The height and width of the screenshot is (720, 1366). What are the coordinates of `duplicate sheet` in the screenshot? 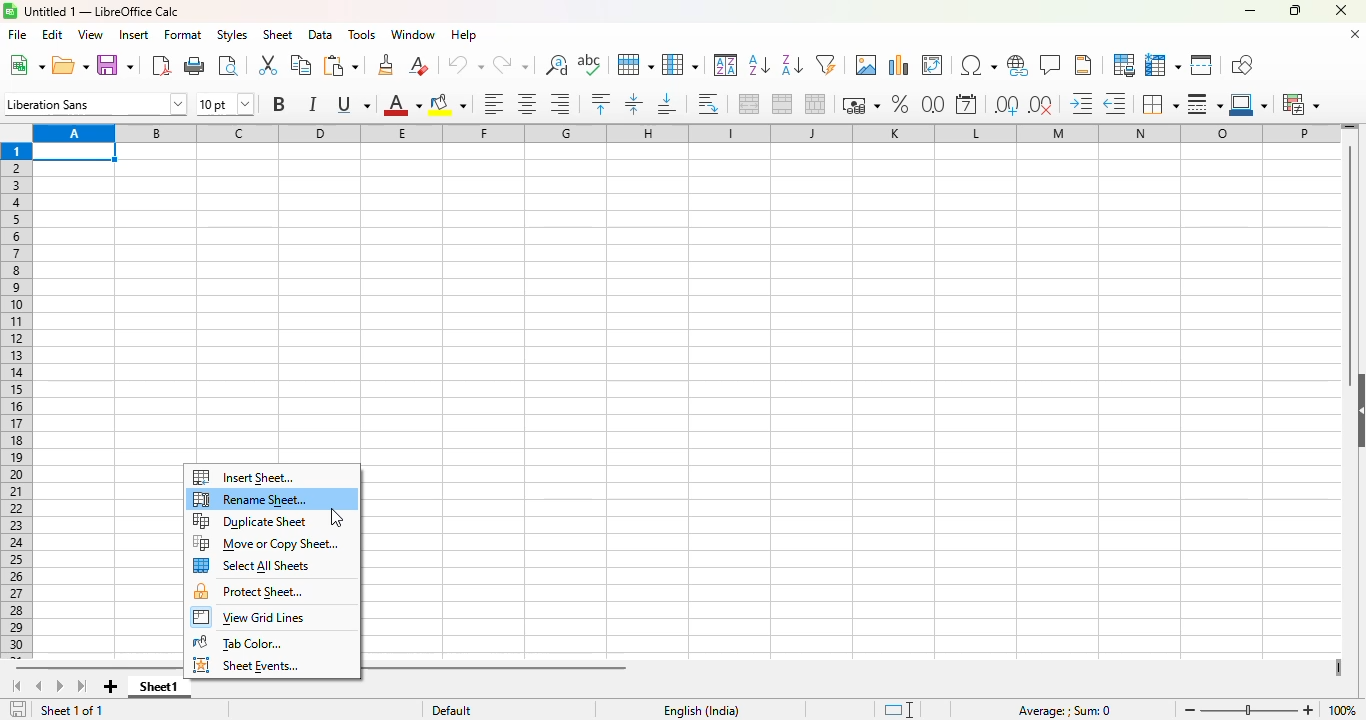 It's located at (249, 520).